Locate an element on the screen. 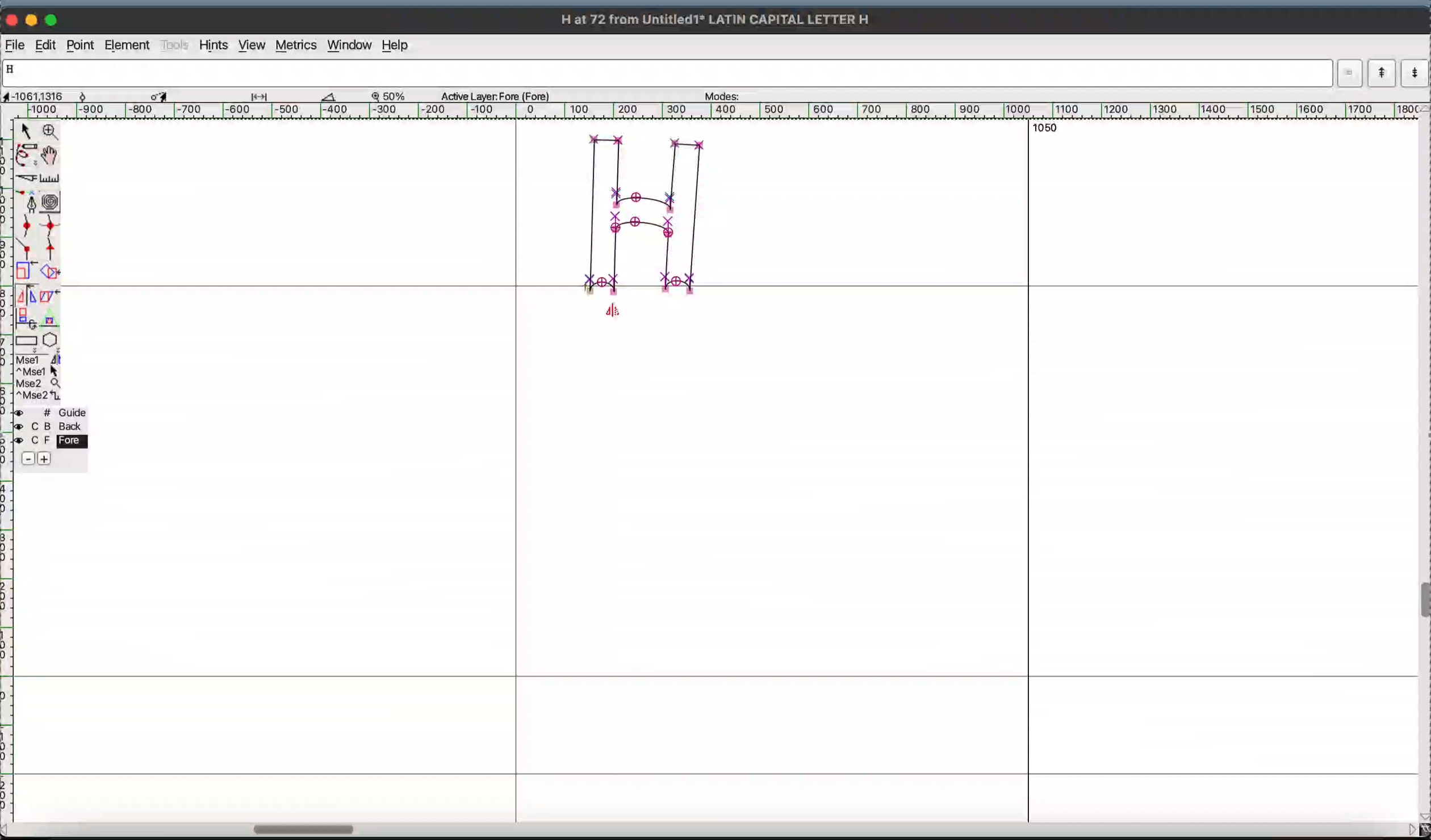 The width and height of the screenshot is (1431, 840). flip is located at coordinates (27, 293).